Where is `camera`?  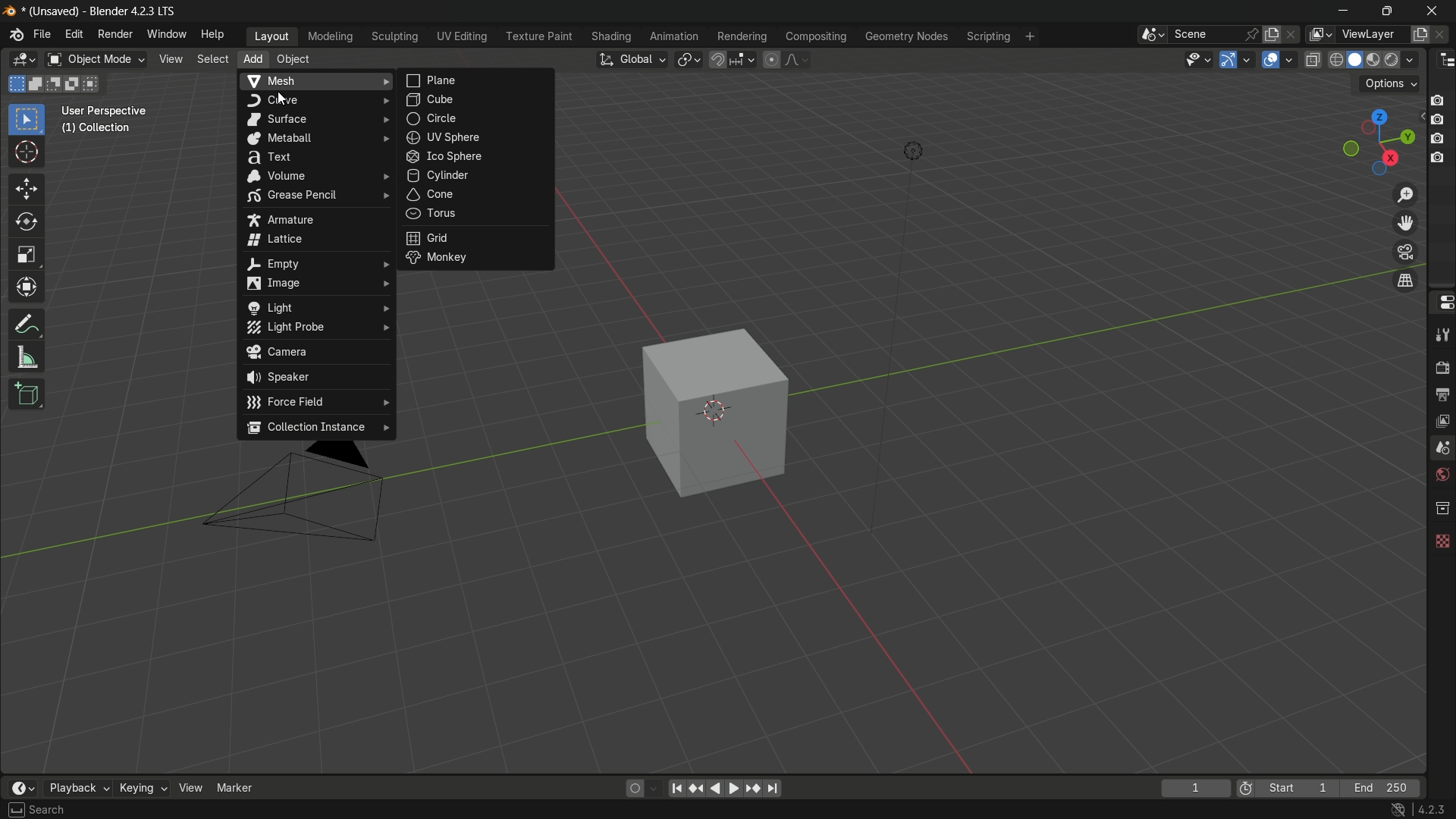 camera is located at coordinates (315, 497).